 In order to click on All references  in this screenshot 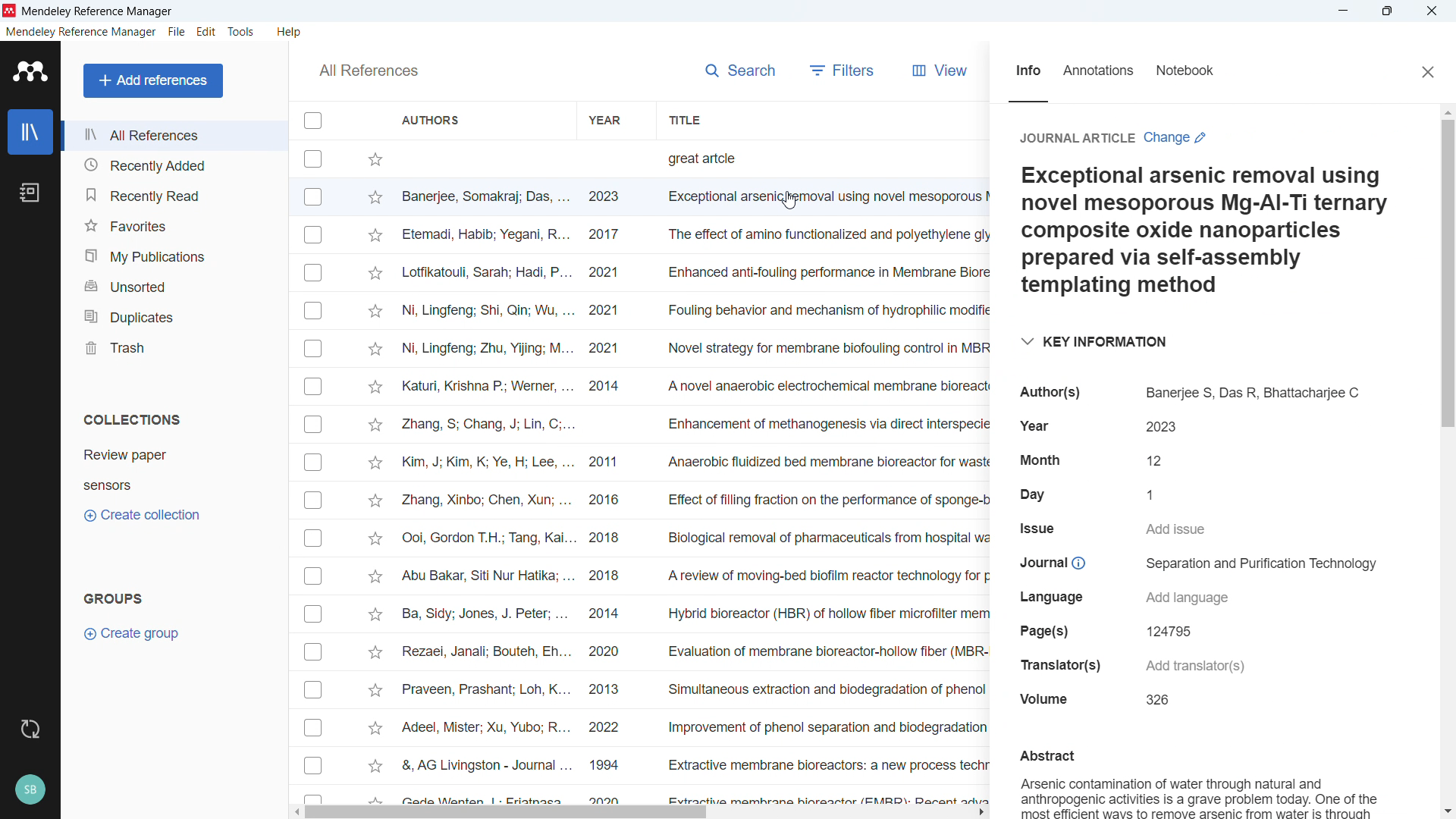, I will do `click(368, 71)`.